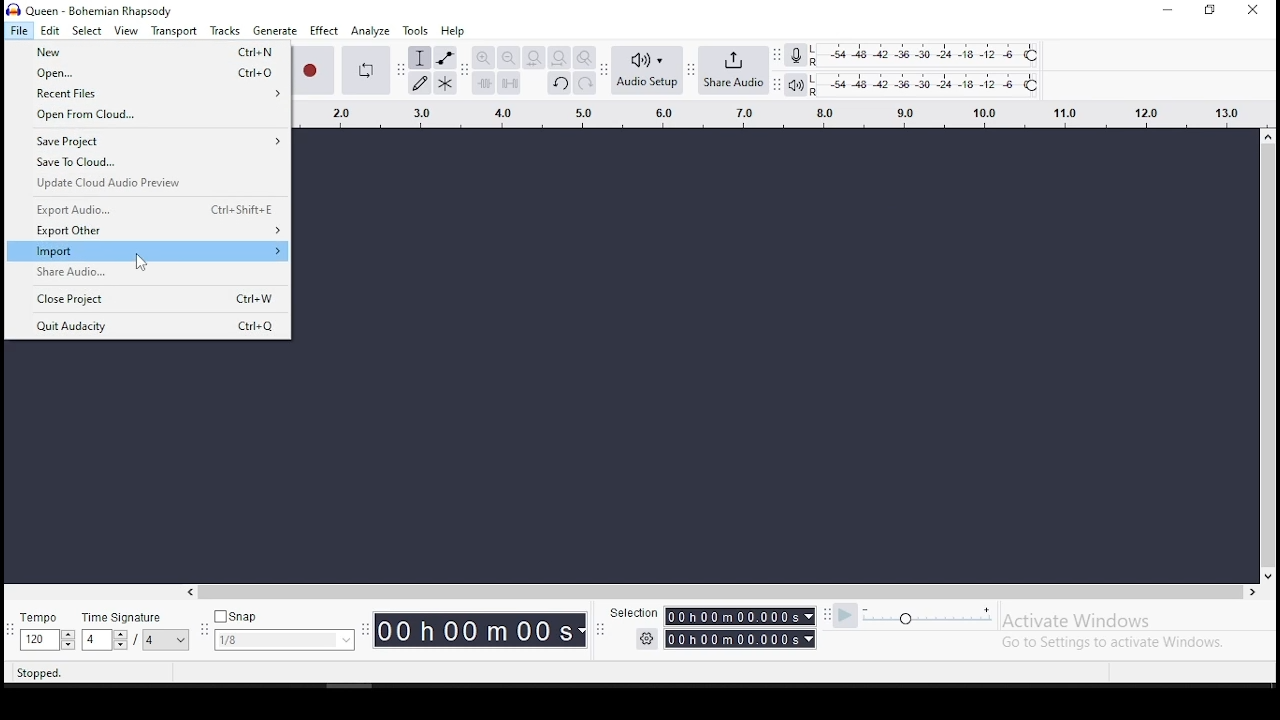  What do you see at coordinates (1212, 9) in the screenshot?
I see `restore` at bounding box center [1212, 9].